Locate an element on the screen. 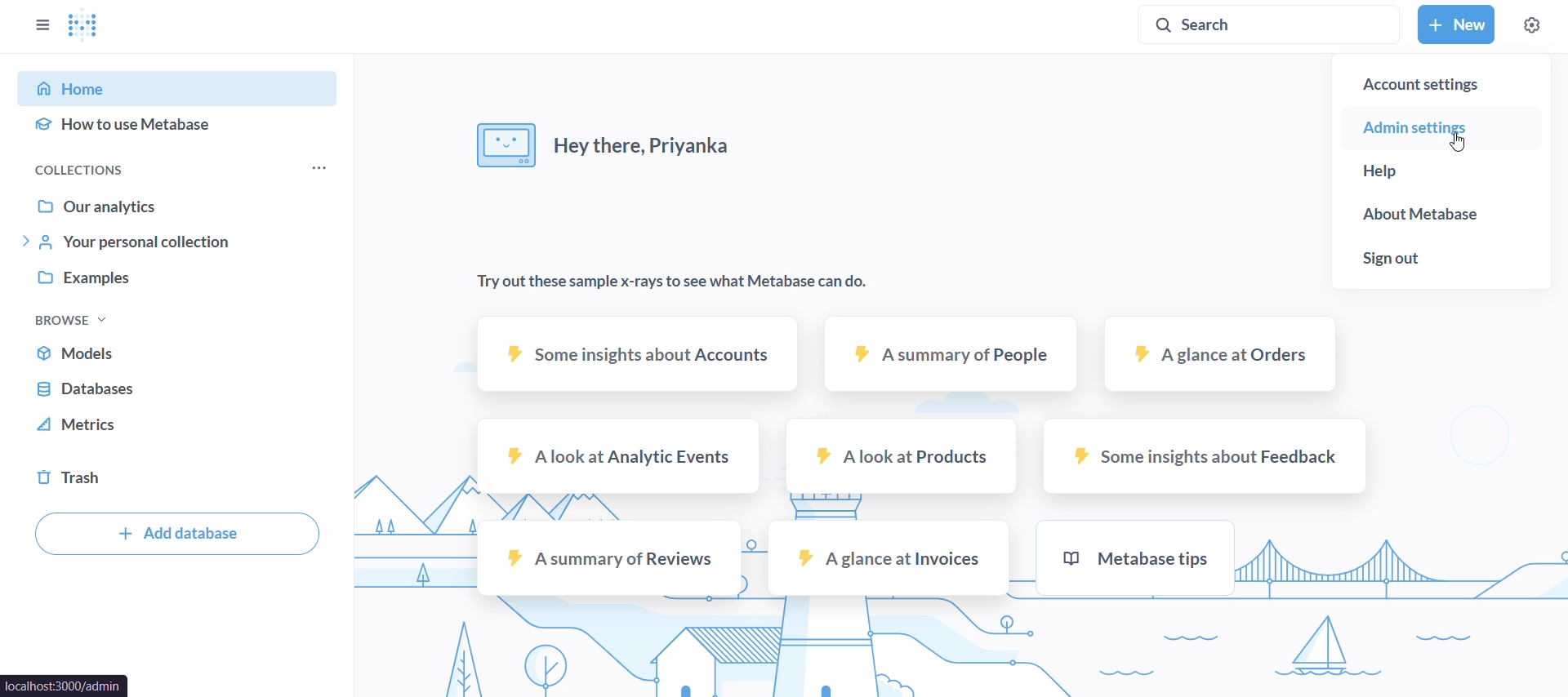 The image size is (1568, 697). more is located at coordinates (316, 168).